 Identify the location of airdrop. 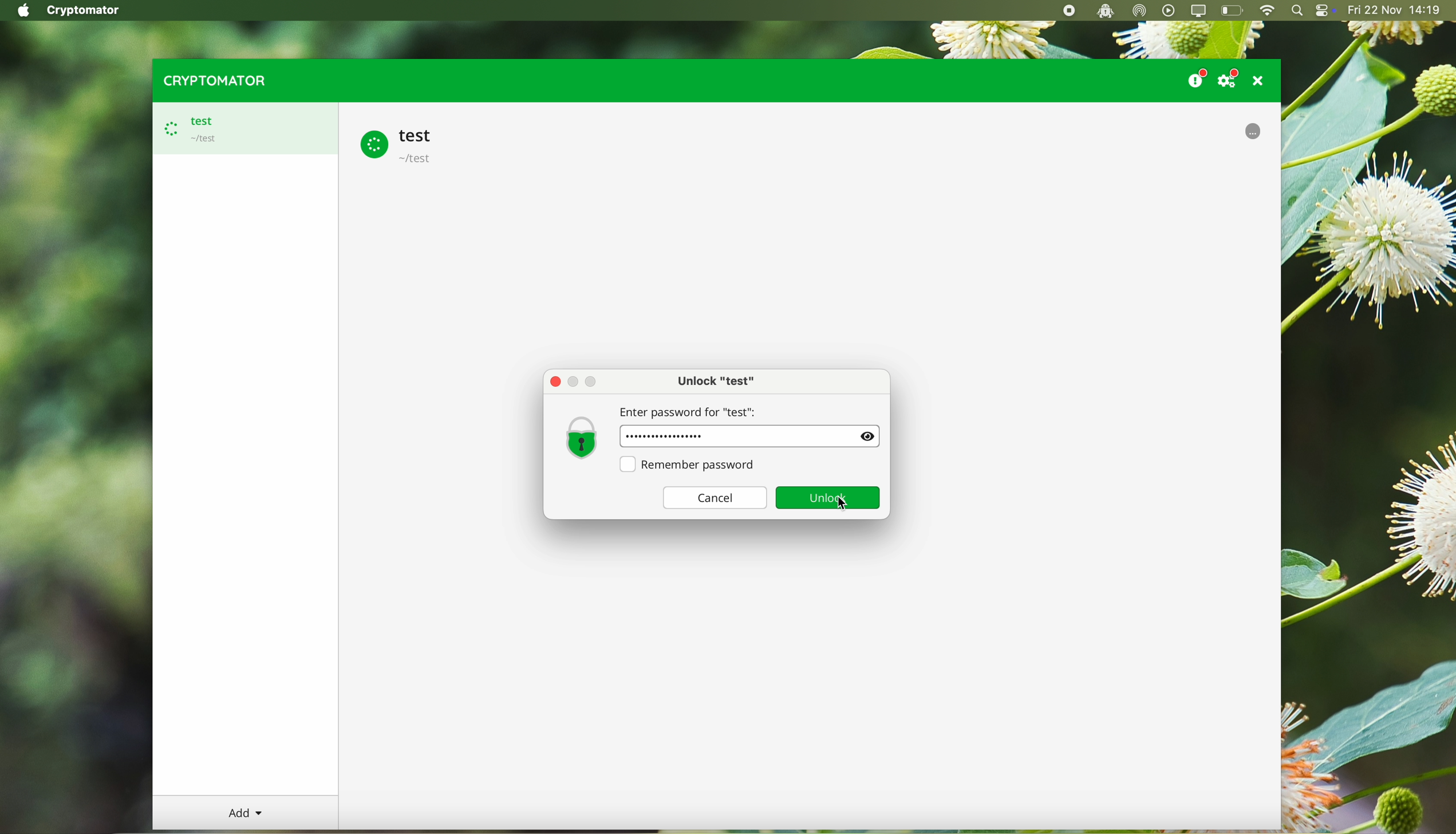
(1138, 11).